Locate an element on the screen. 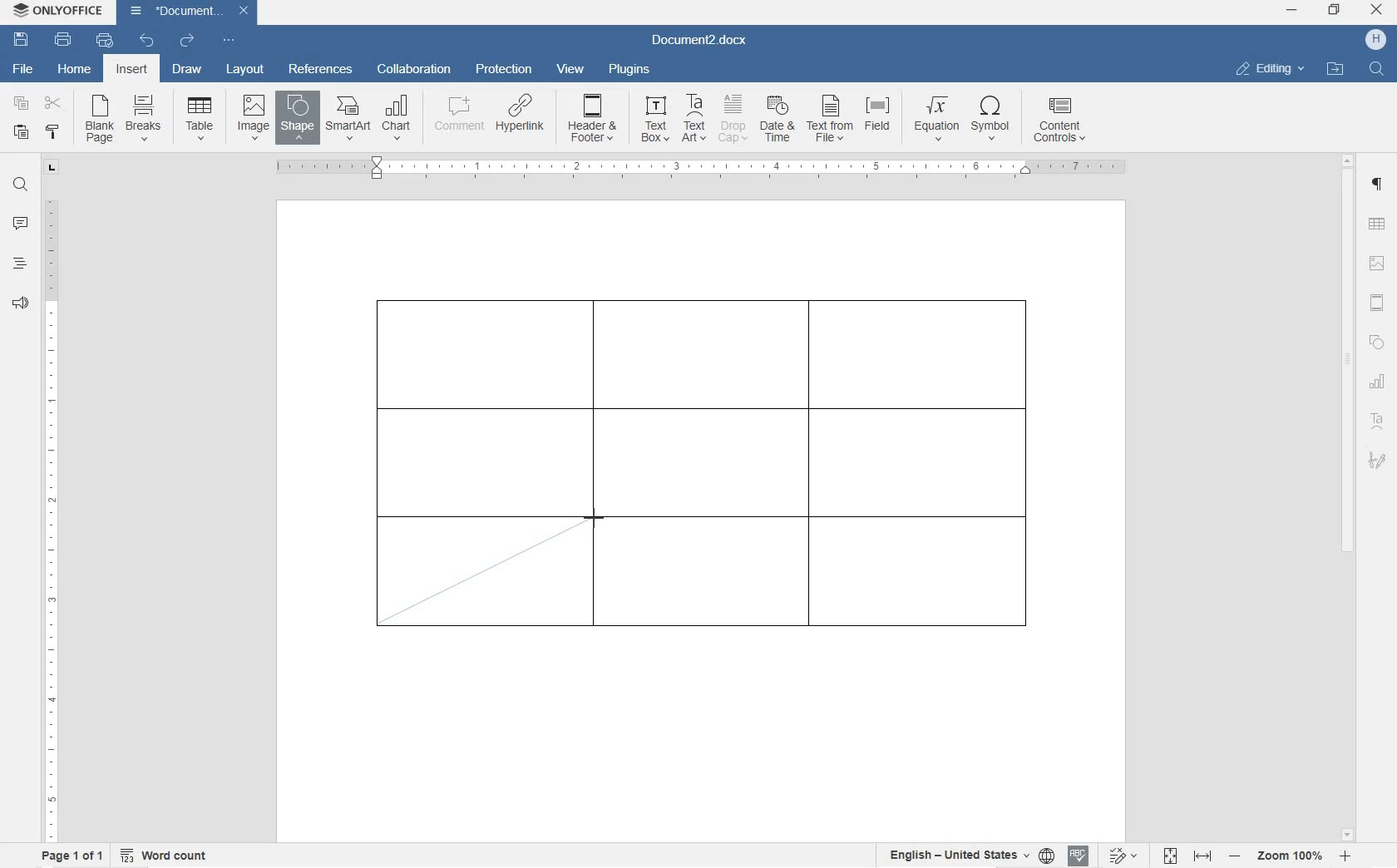  HYPERLINK is located at coordinates (521, 119).